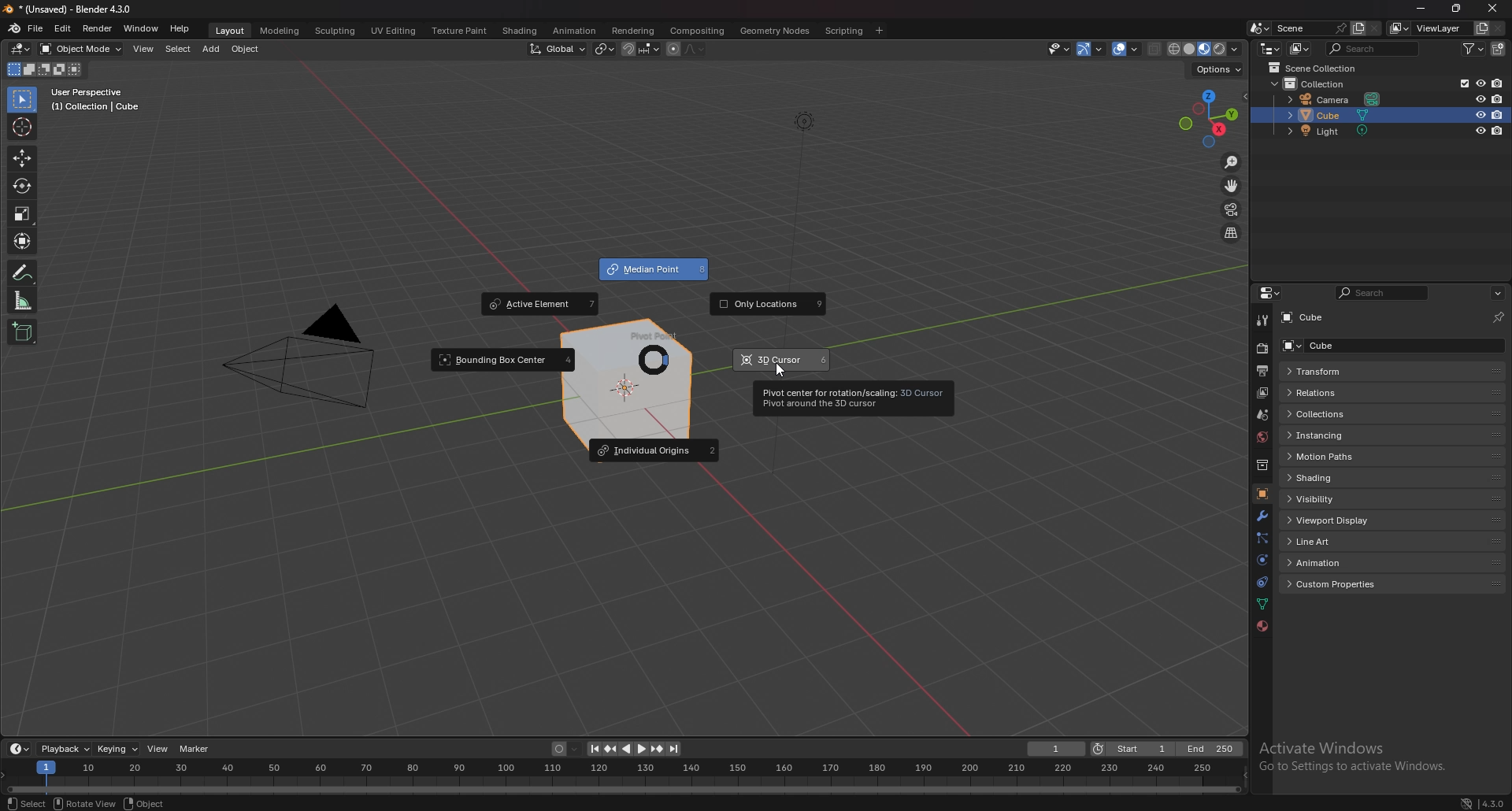  I want to click on layout, so click(229, 31).